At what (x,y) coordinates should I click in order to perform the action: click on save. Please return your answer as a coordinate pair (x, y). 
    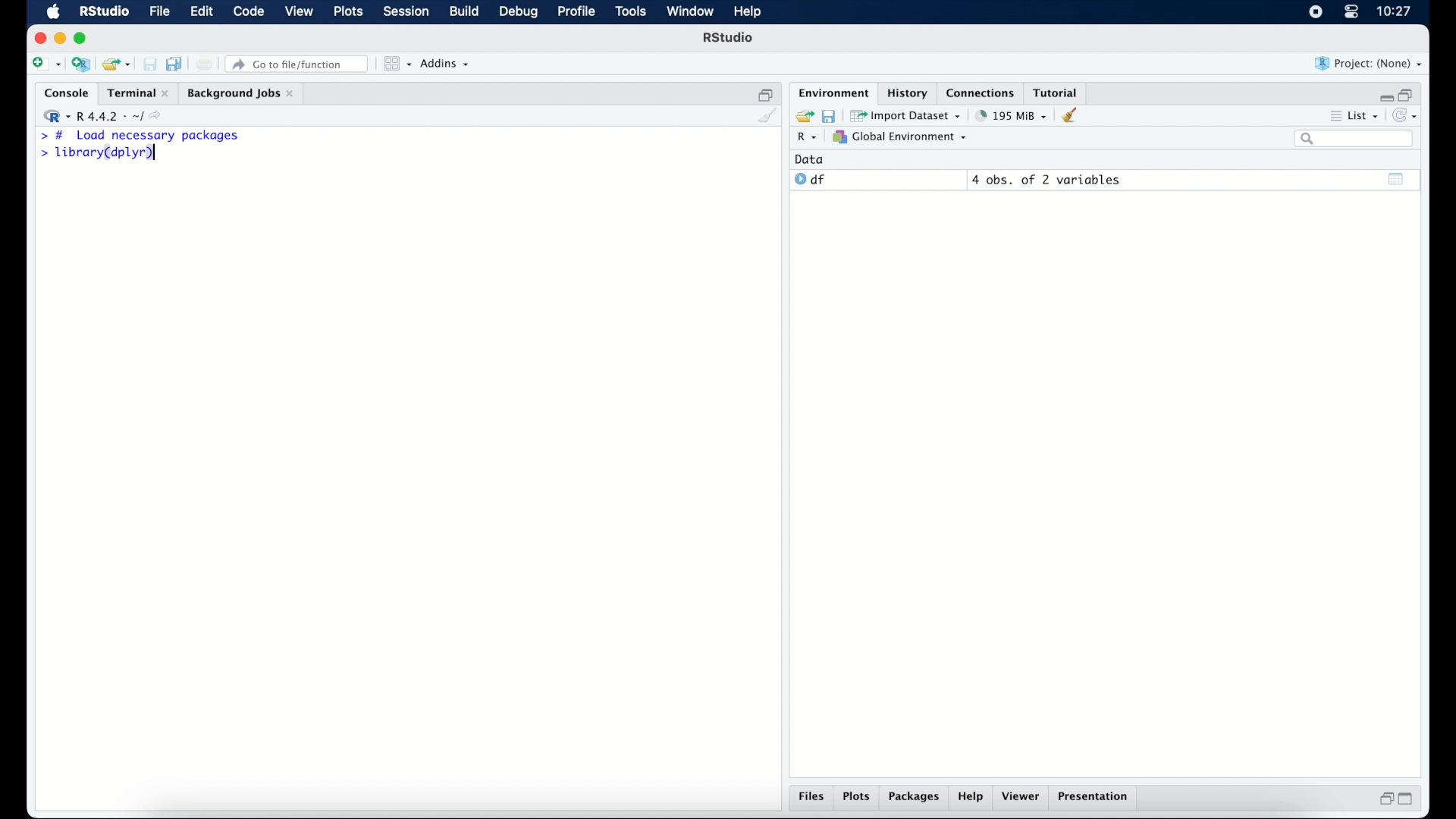
    Looking at the image, I should click on (828, 115).